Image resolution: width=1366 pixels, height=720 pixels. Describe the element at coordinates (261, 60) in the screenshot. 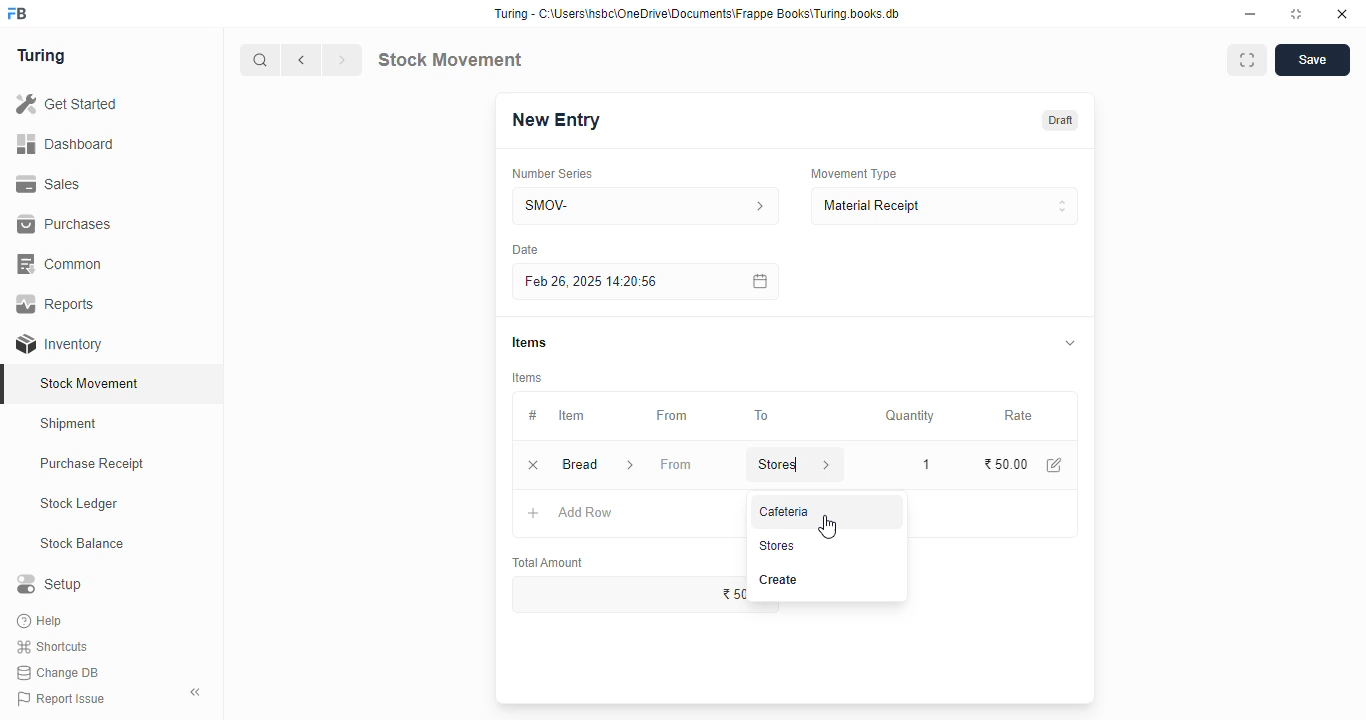

I see `search` at that location.